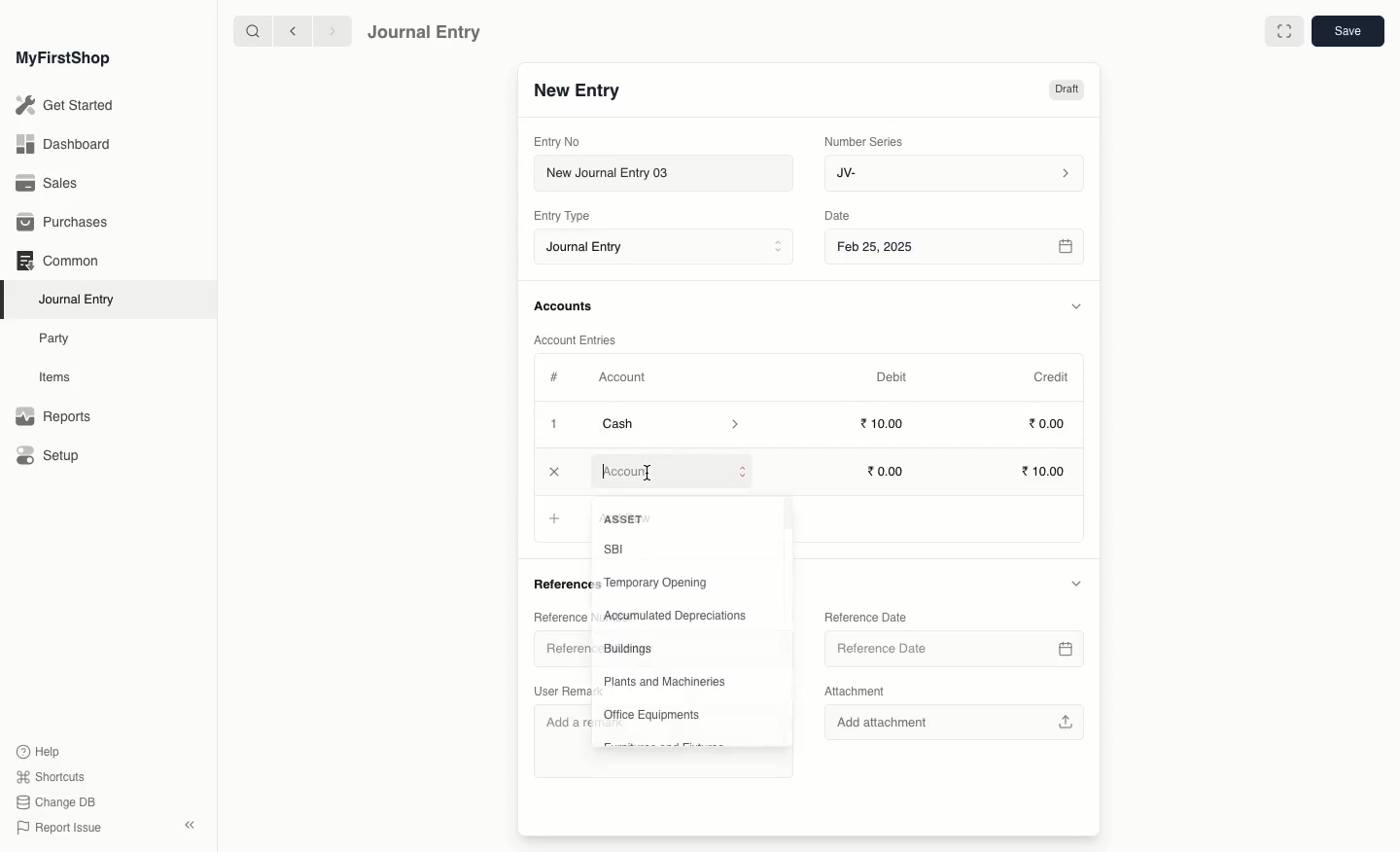  What do you see at coordinates (674, 470) in the screenshot?
I see `Account` at bounding box center [674, 470].